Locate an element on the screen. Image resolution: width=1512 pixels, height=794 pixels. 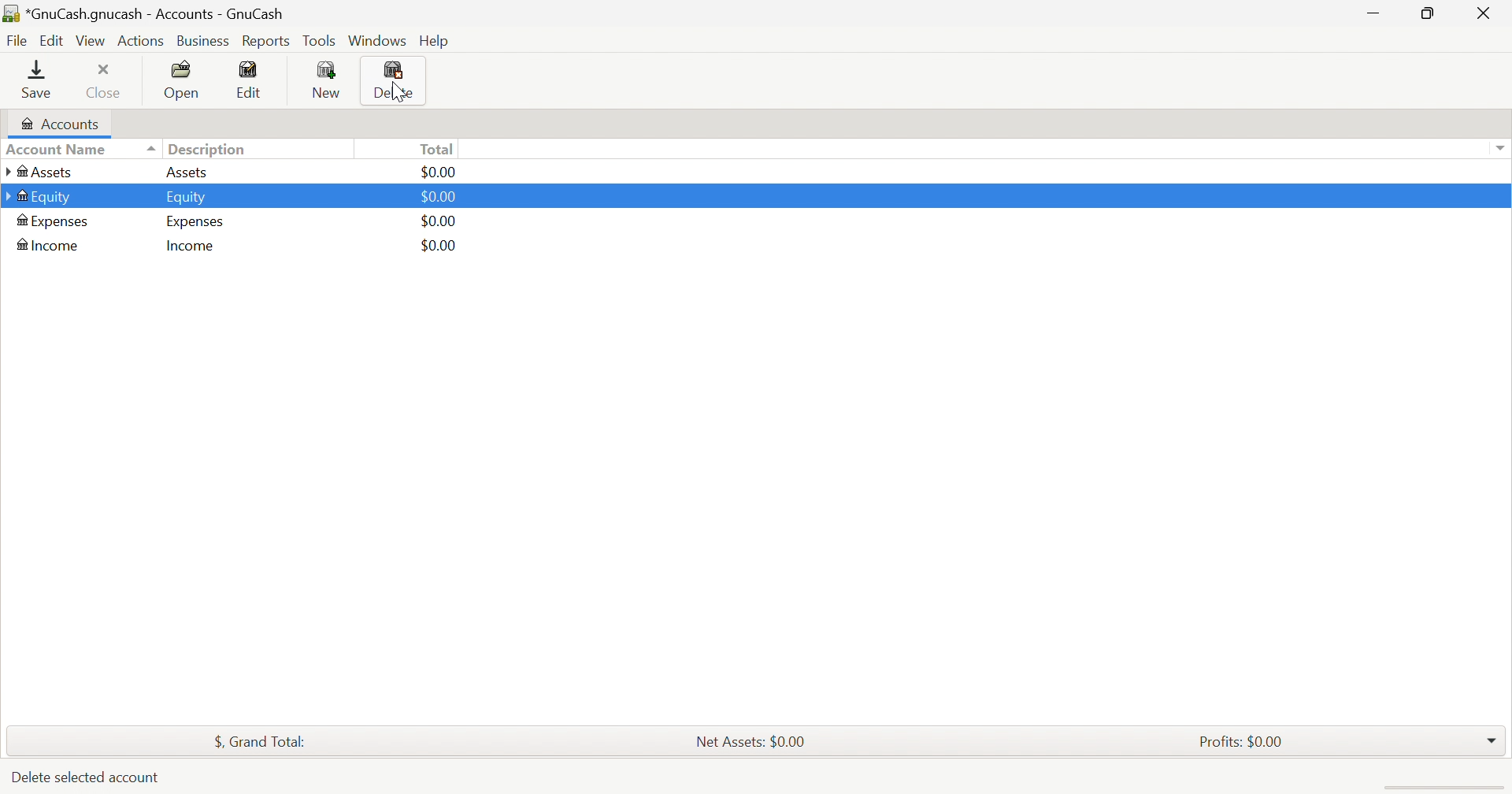
*GnuCash.gnucash - Accounts - GnuCash is located at coordinates (149, 14).